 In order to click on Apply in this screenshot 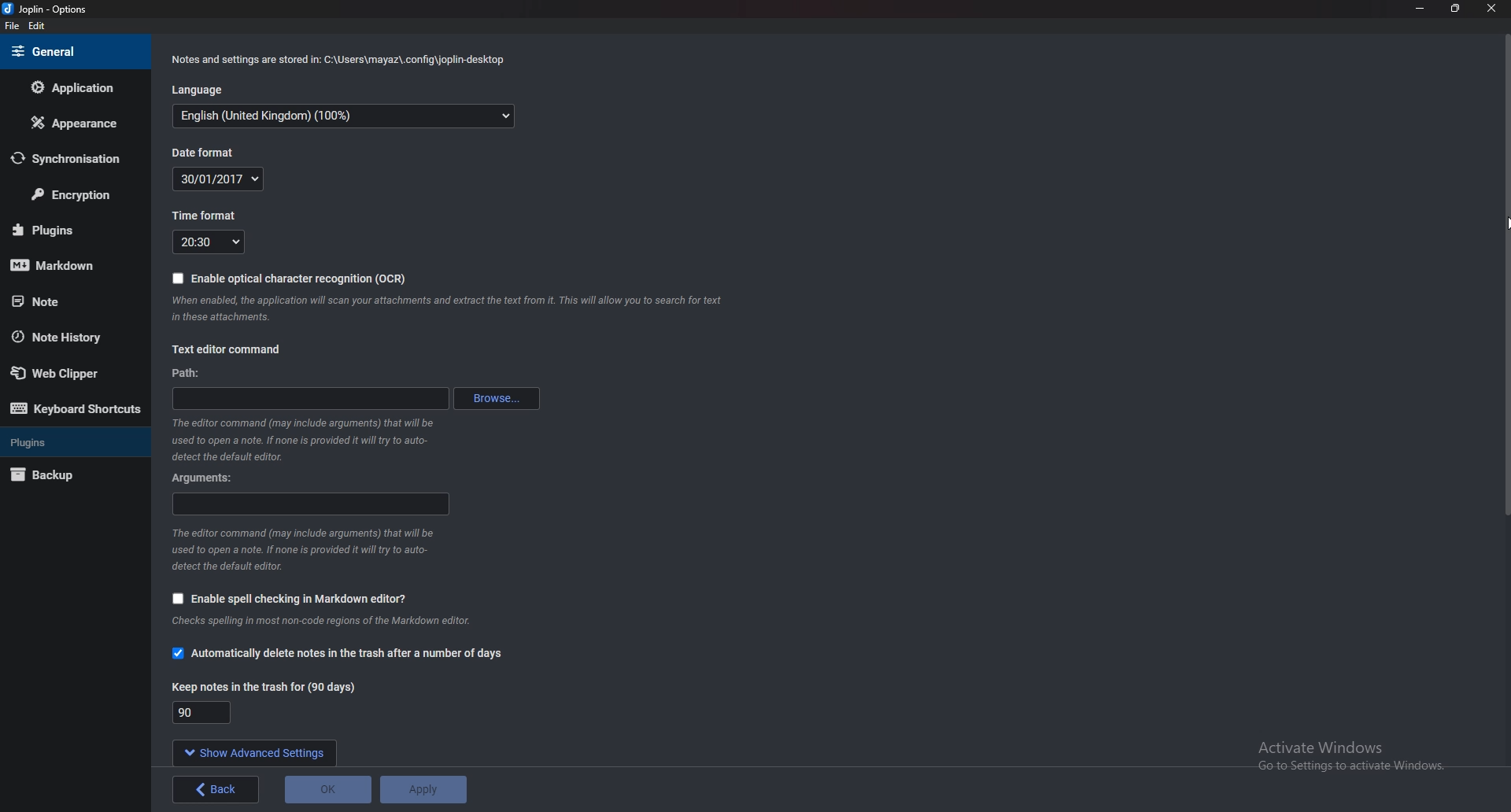, I will do `click(422, 790)`.